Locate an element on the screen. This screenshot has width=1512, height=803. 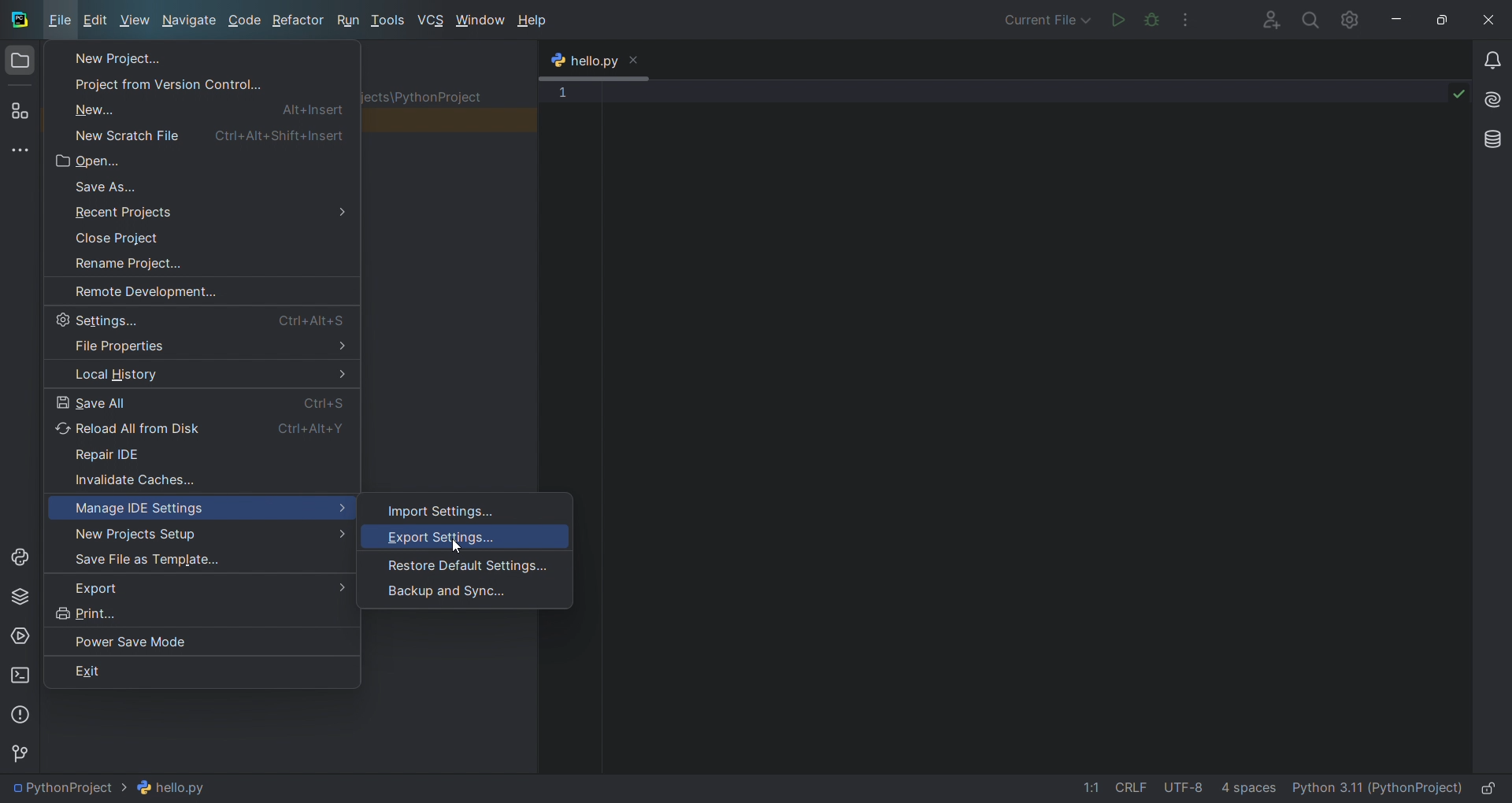
terminal is located at coordinates (20, 675).